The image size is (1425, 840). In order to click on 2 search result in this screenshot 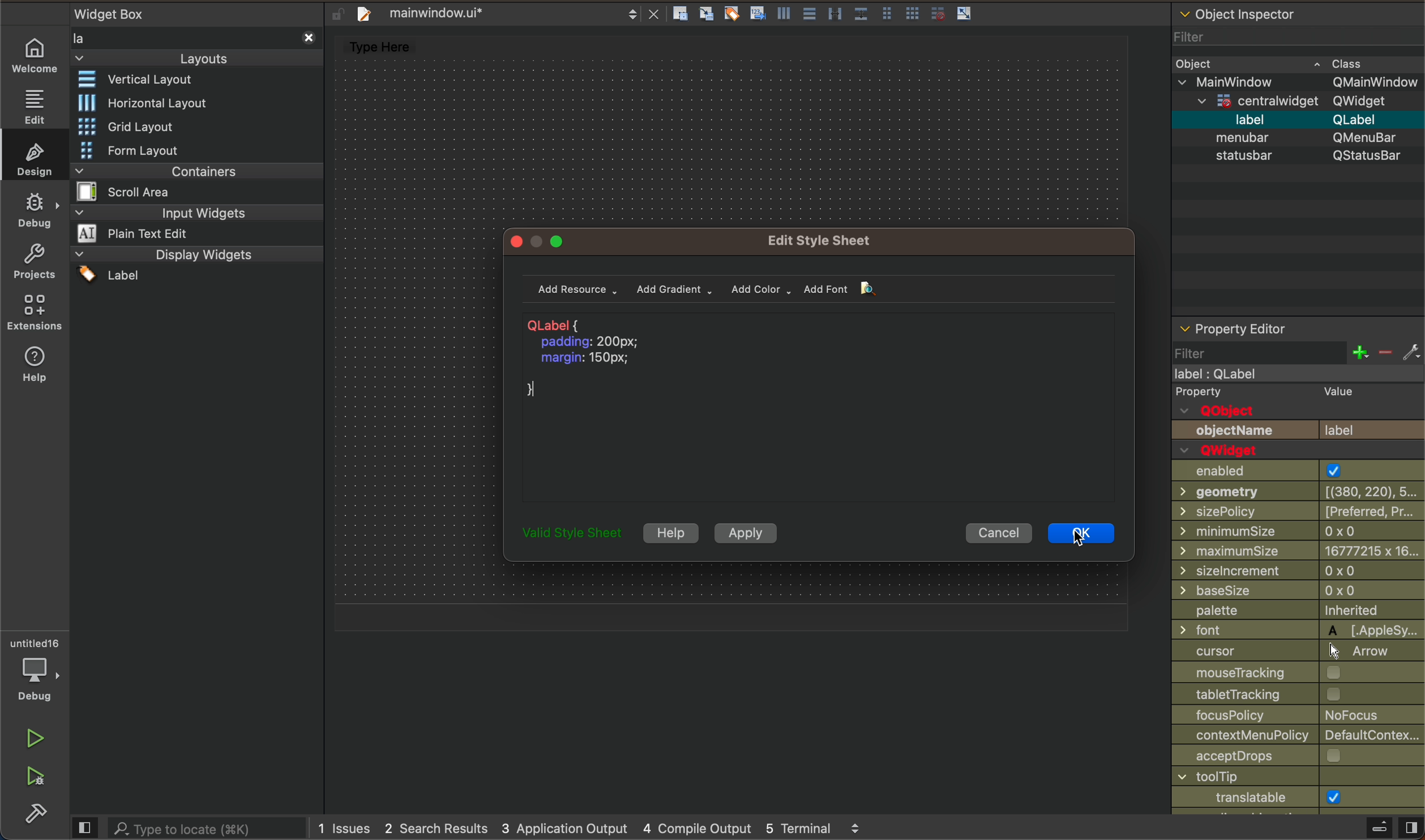, I will do `click(438, 830)`.